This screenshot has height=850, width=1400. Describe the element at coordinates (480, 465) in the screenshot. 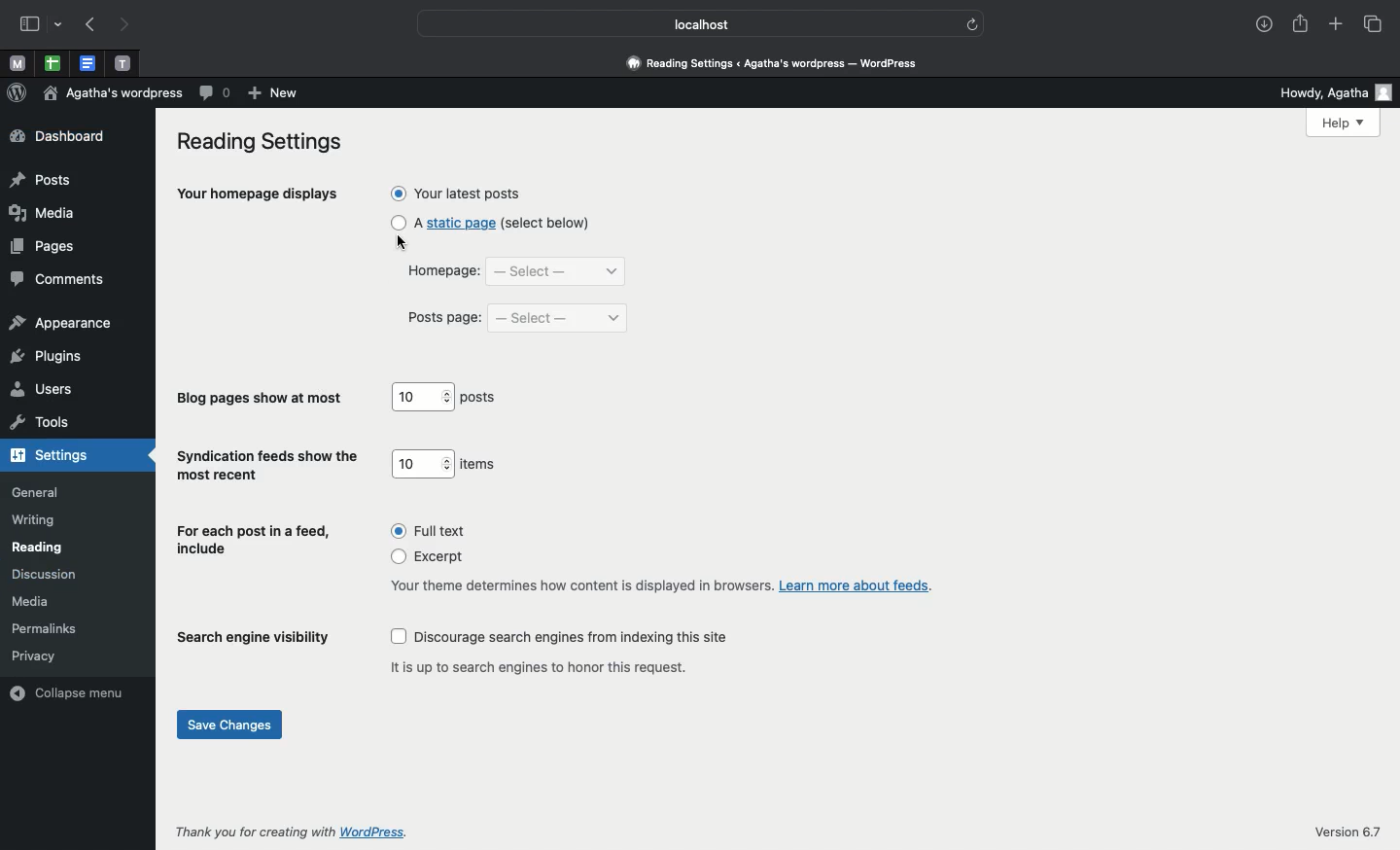

I see `Items` at that location.